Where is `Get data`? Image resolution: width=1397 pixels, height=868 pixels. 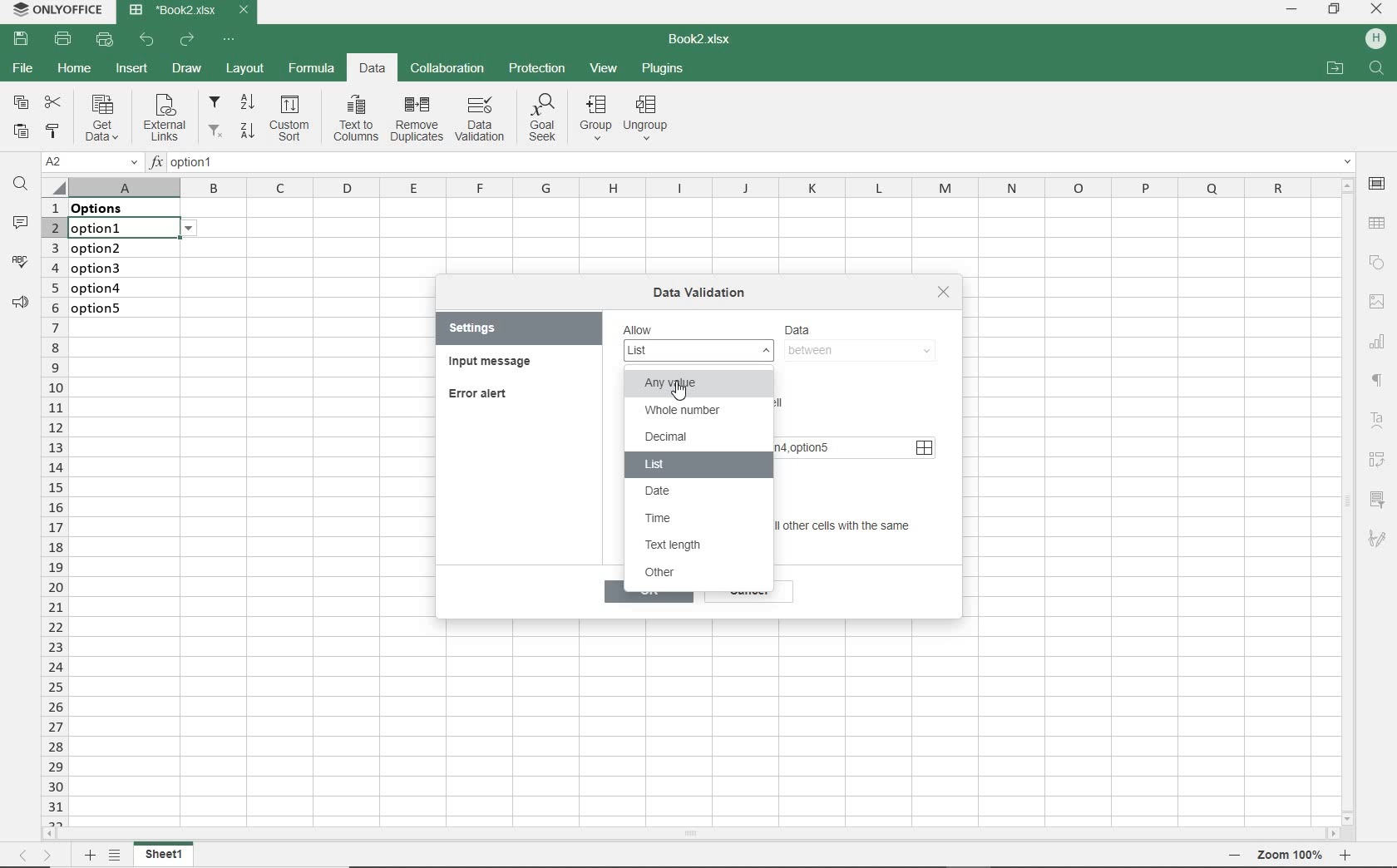
Get data is located at coordinates (100, 117).